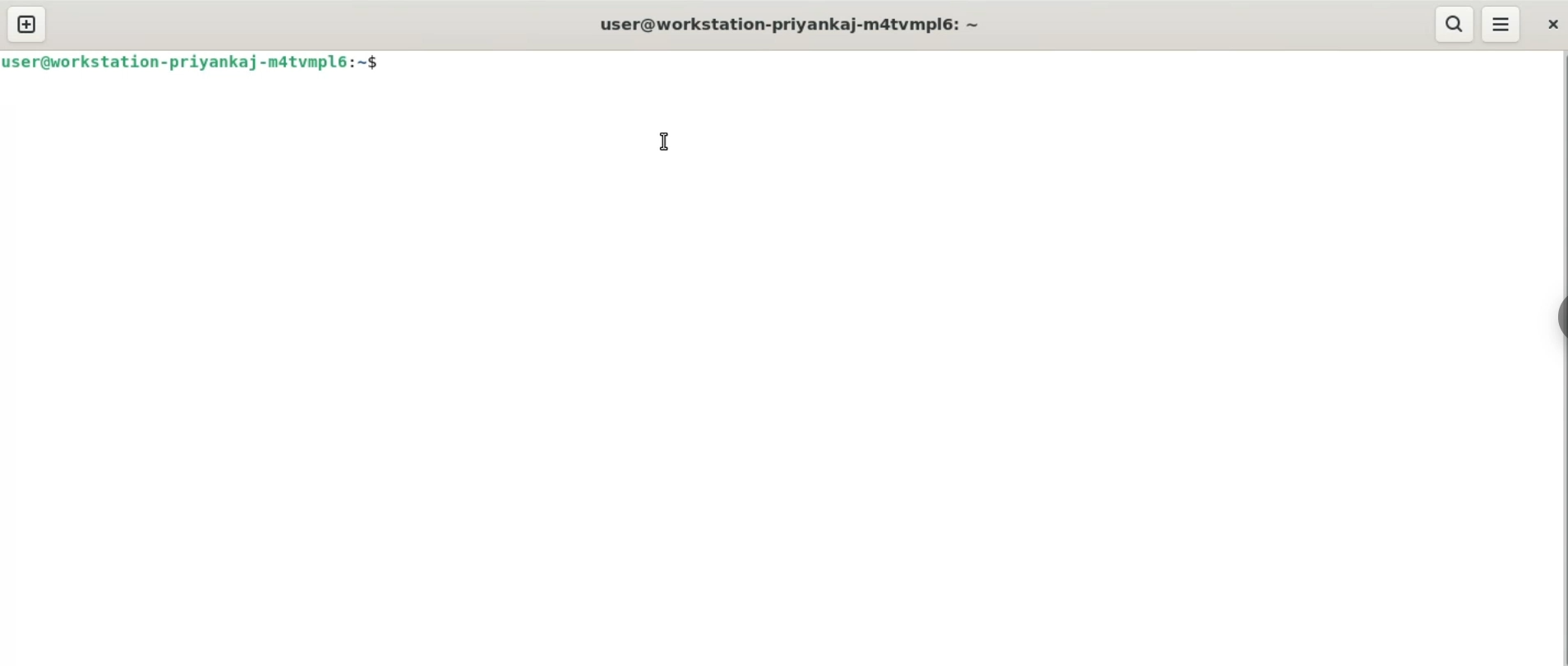  What do you see at coordinates (1549, 24) in the screenshot?
I see `close` at bounding box center [1549, 24].